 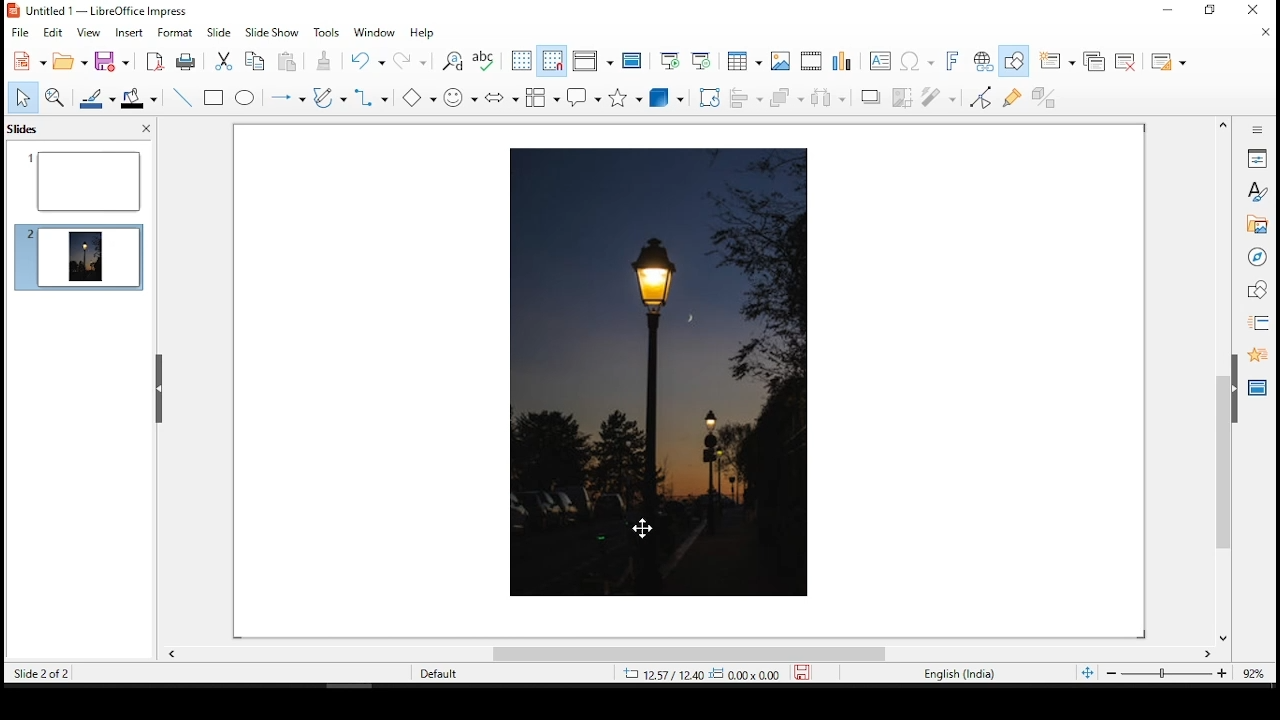 What do you see at coordinates (1169, 61) in the screenshot?
I see `slide layout` at bounding box center [1169, 61].